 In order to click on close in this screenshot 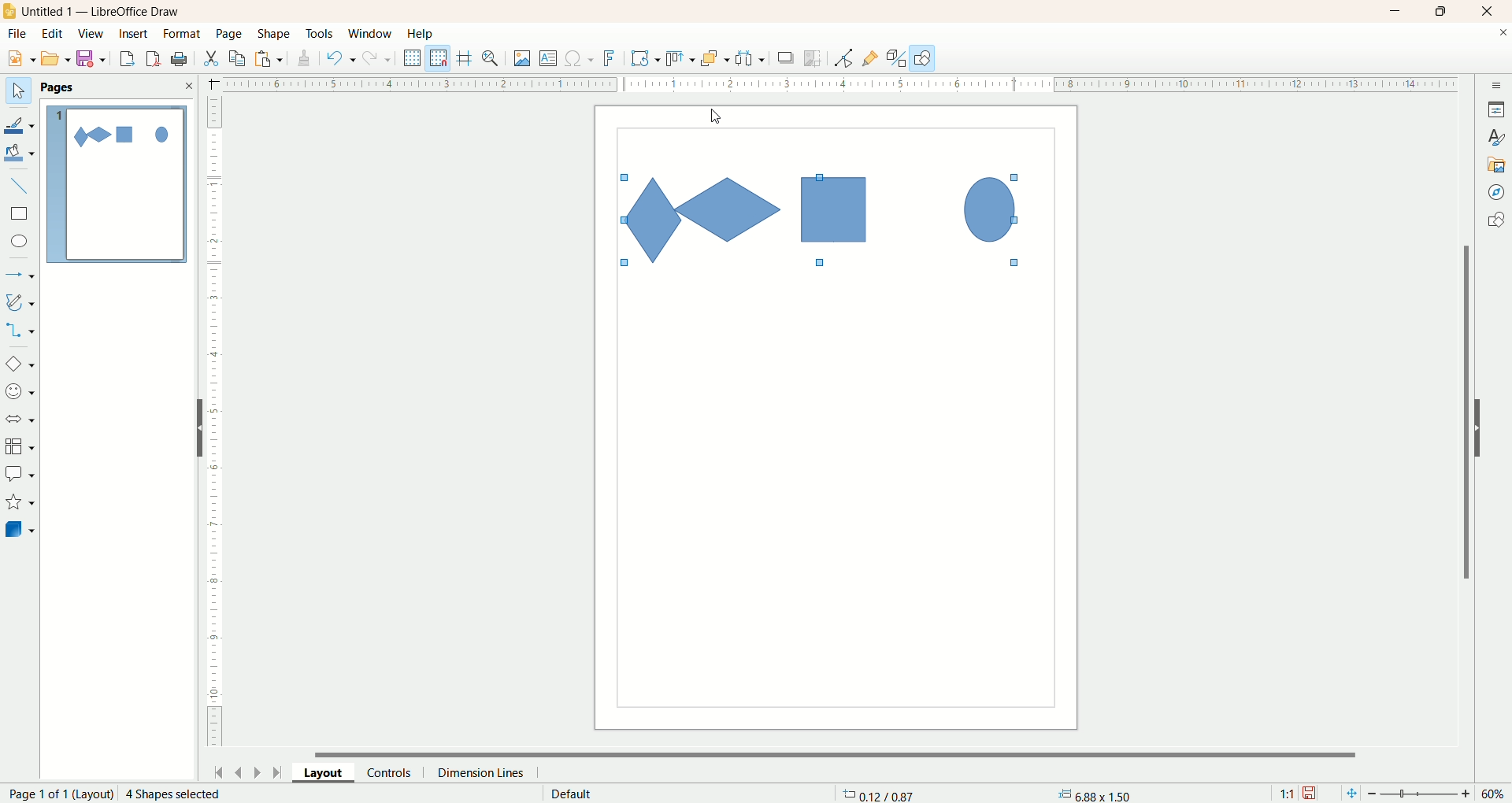, I will do `click(188, 86)`.